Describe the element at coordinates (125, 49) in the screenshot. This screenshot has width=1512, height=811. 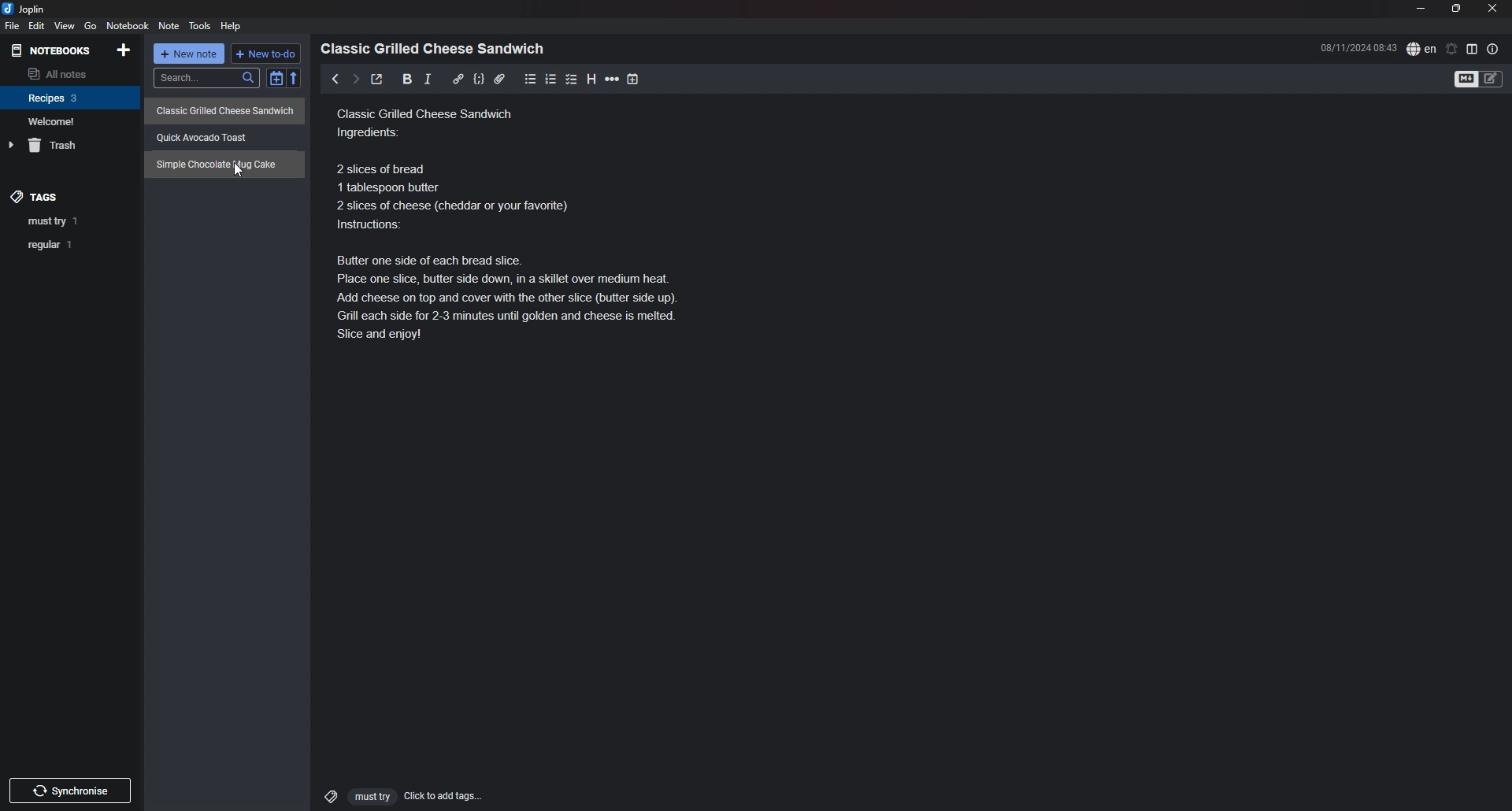
I see `add notebook` at that location.